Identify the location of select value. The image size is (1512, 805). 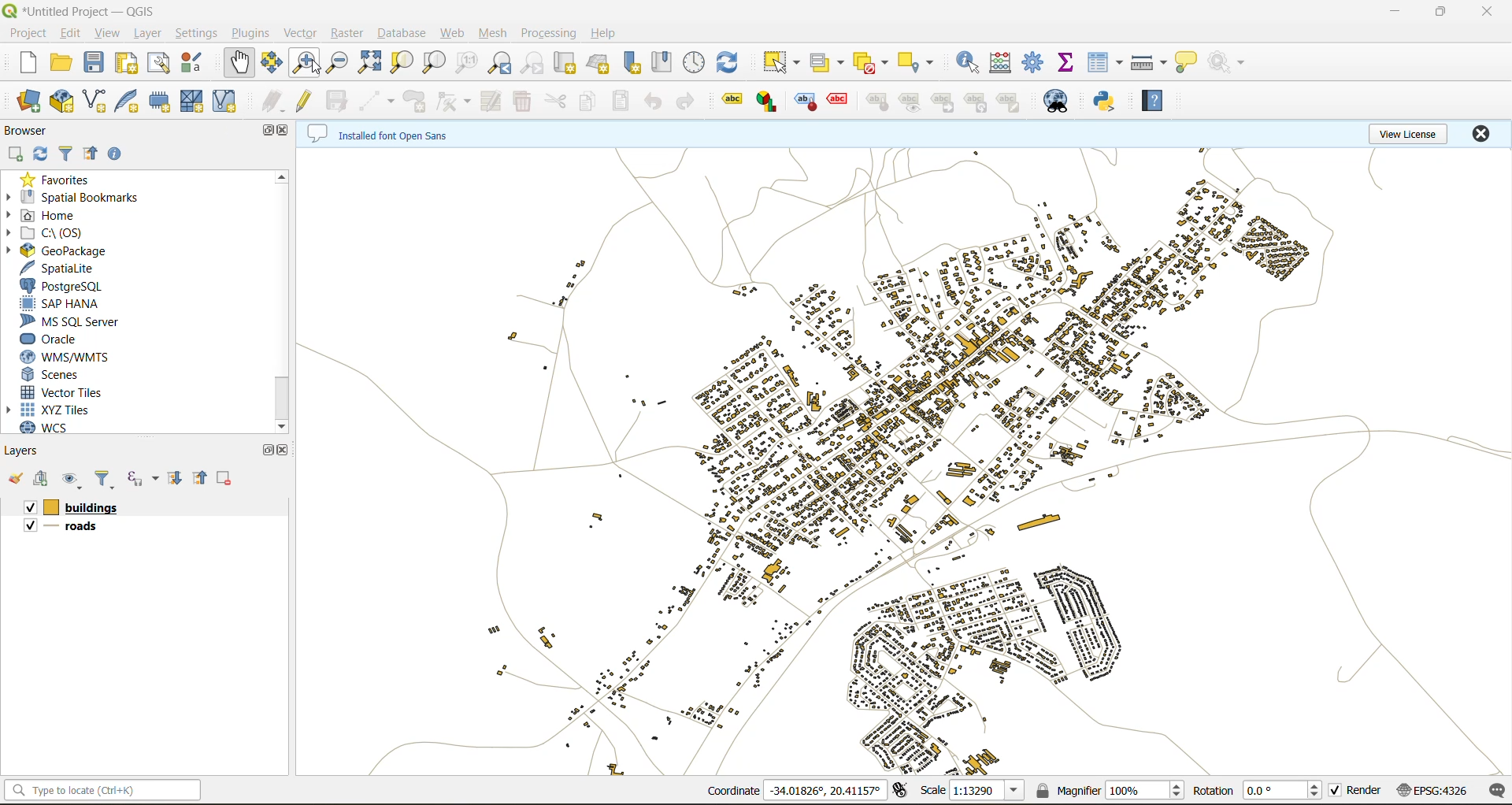
(828, 65).